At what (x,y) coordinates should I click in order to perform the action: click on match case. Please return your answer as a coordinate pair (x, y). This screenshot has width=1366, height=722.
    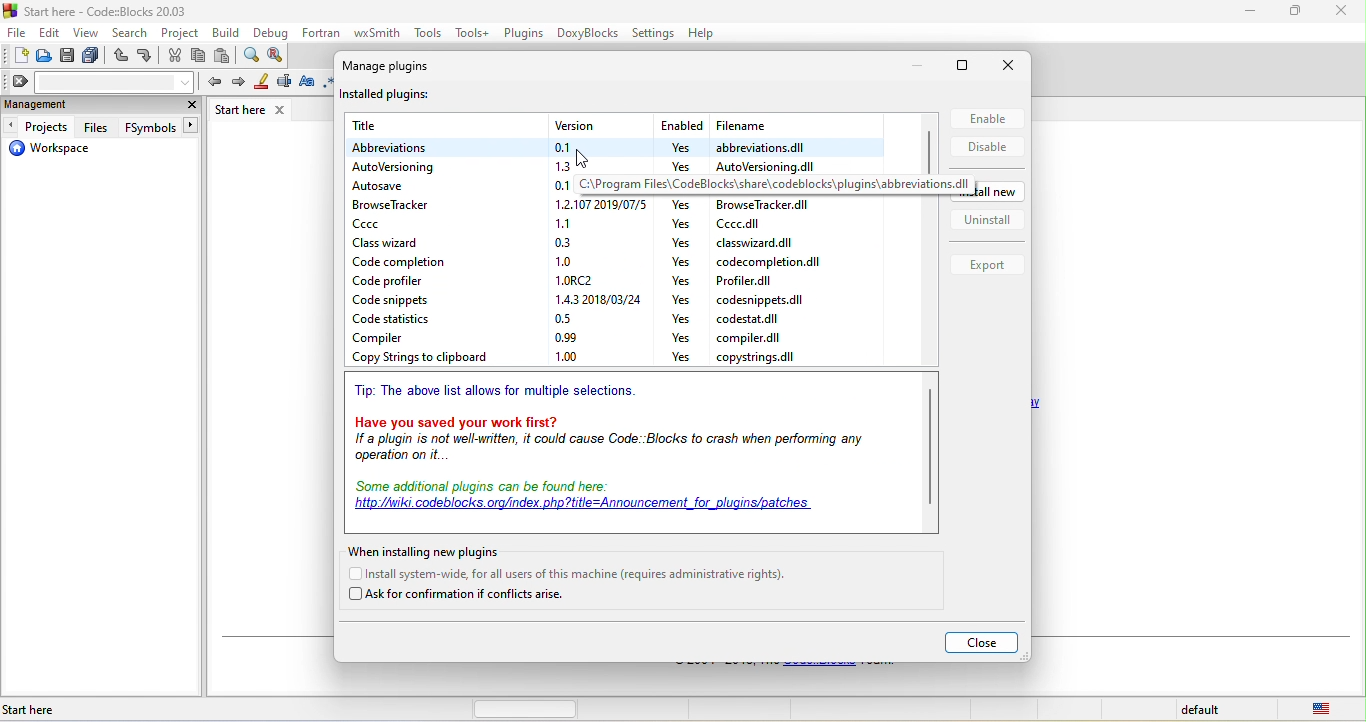
    Looking at the image, I should click on (307, 83).